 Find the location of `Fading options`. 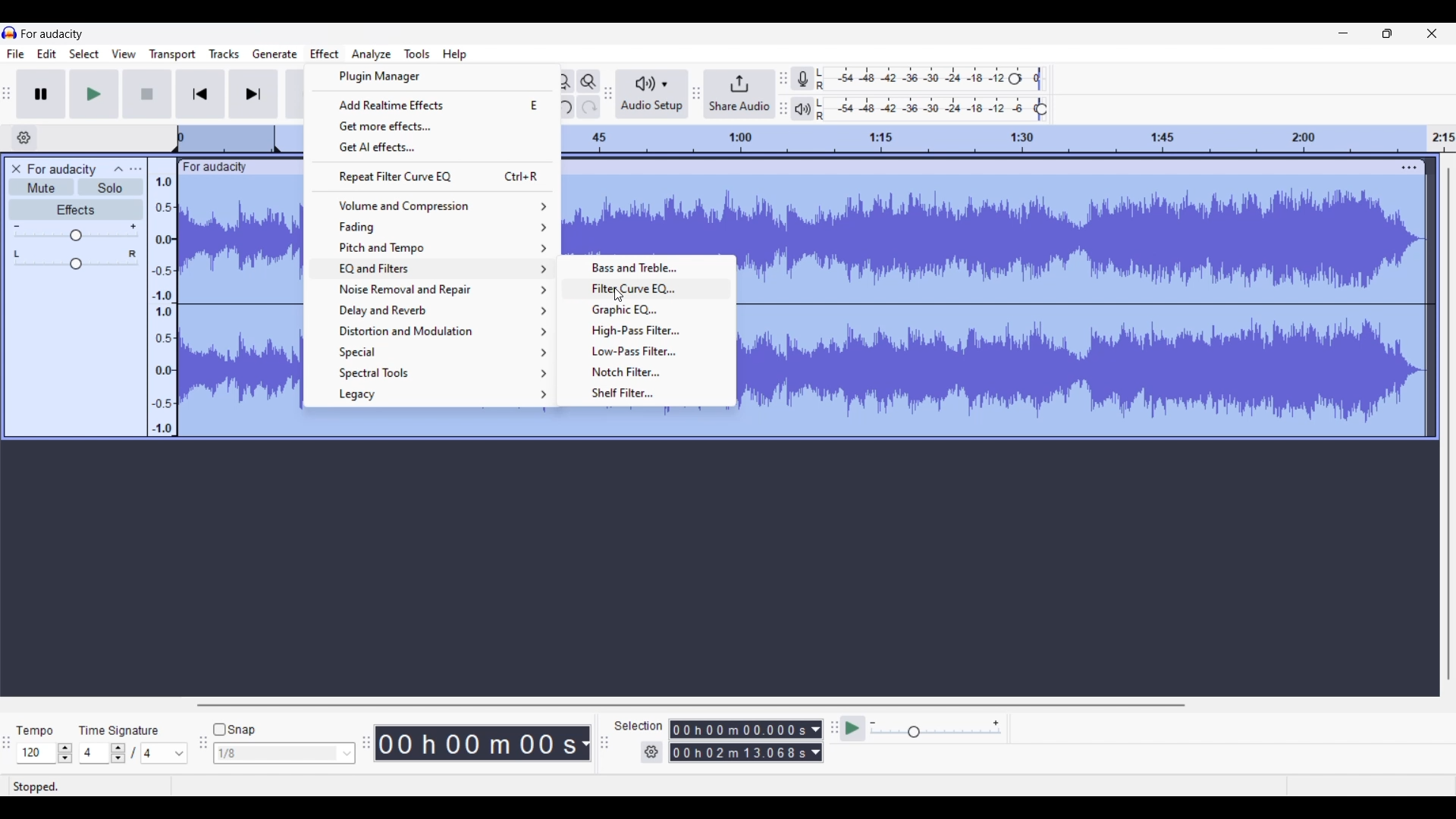

Fading options is located at coordinates (431, 227).